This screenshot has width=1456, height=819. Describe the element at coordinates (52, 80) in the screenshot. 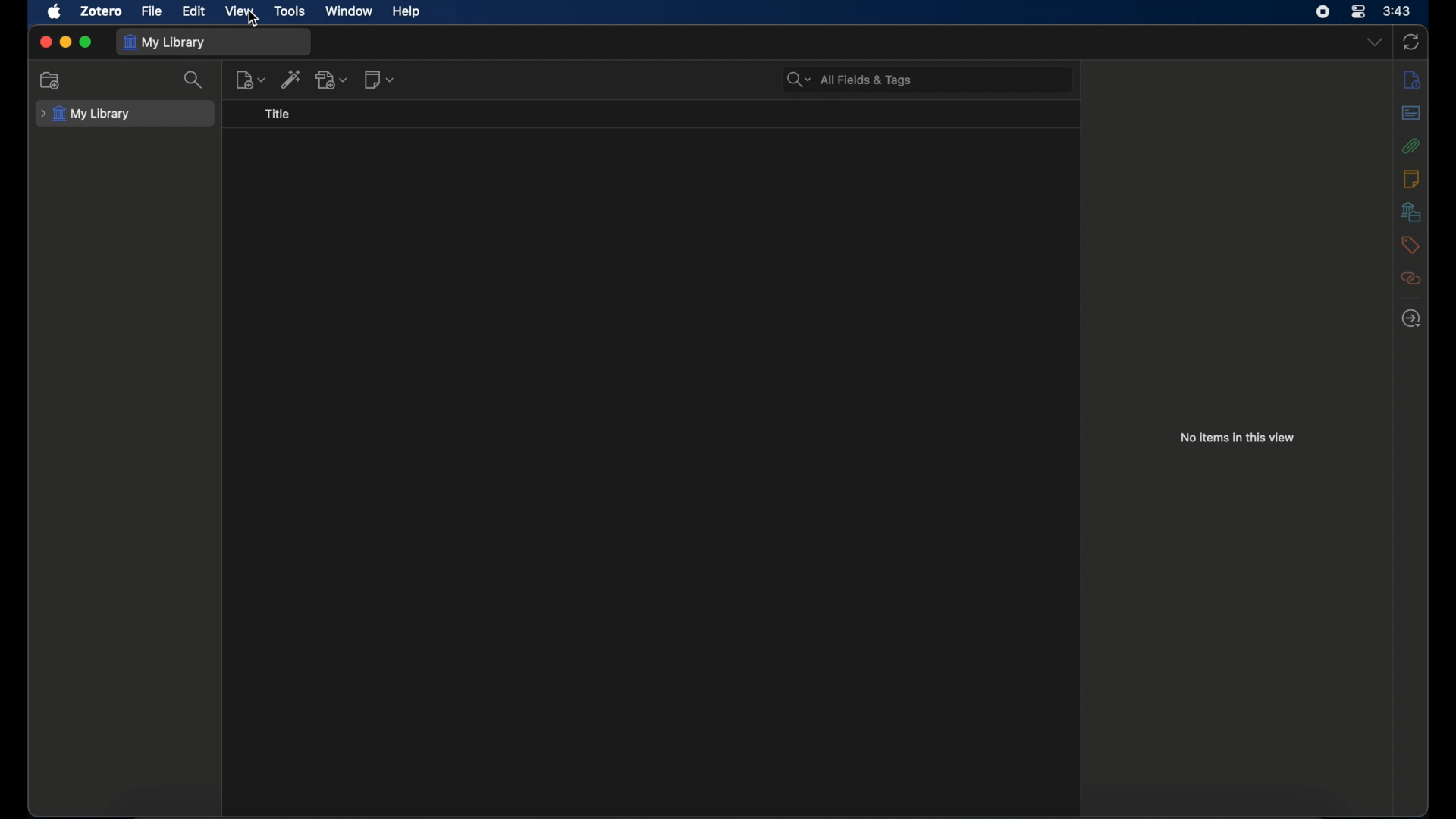

I see `new collection` at that location.